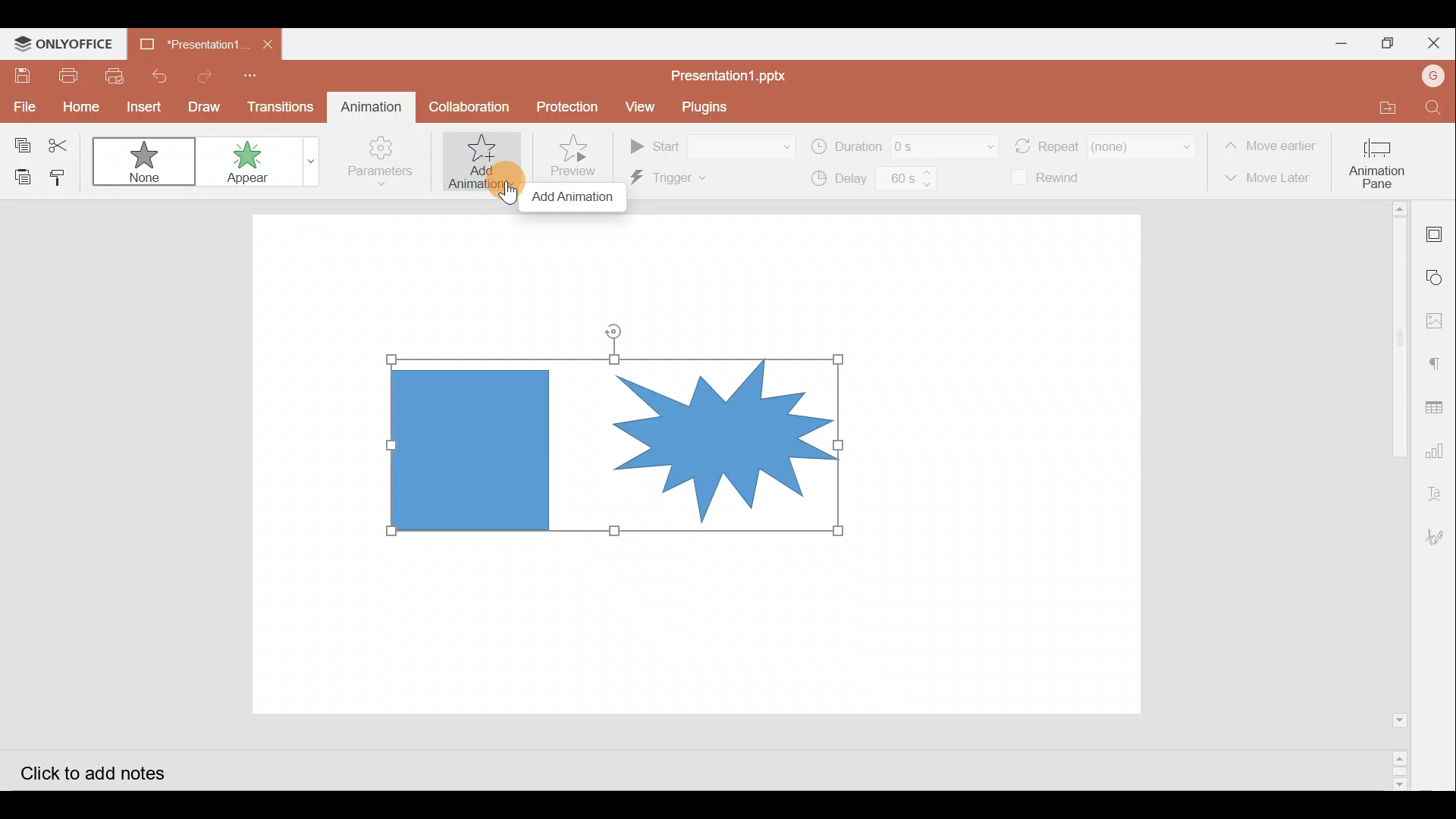  What do you see at coordinates (140, 106) in the screenshot?
I see `Insert` at bounding box center [140, 106].